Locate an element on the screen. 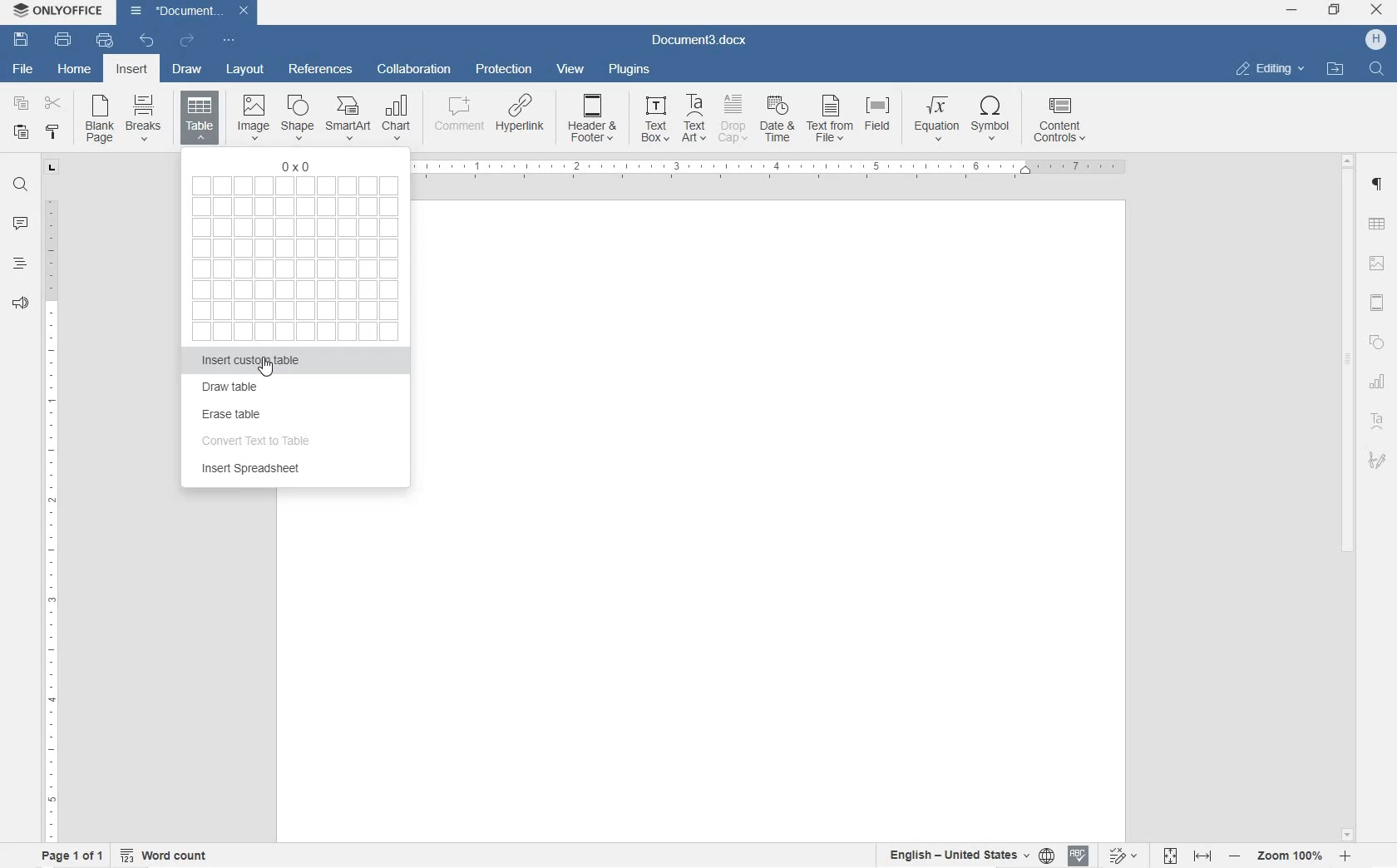  REFERENCES is located at coordinates (320, 71).